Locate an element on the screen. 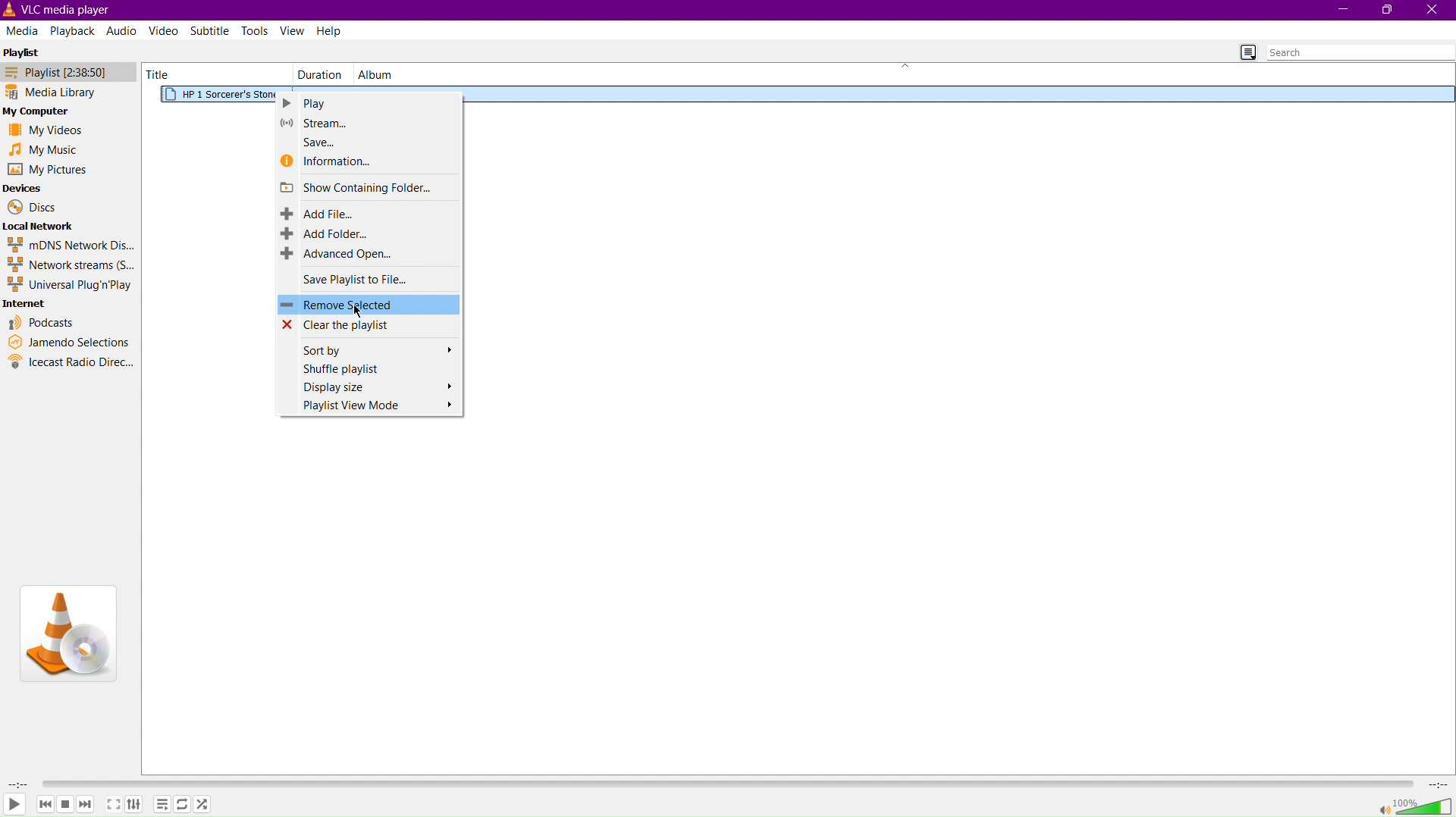 The image size is (1456, 817). Playlist is located at coordinates (23, 51).